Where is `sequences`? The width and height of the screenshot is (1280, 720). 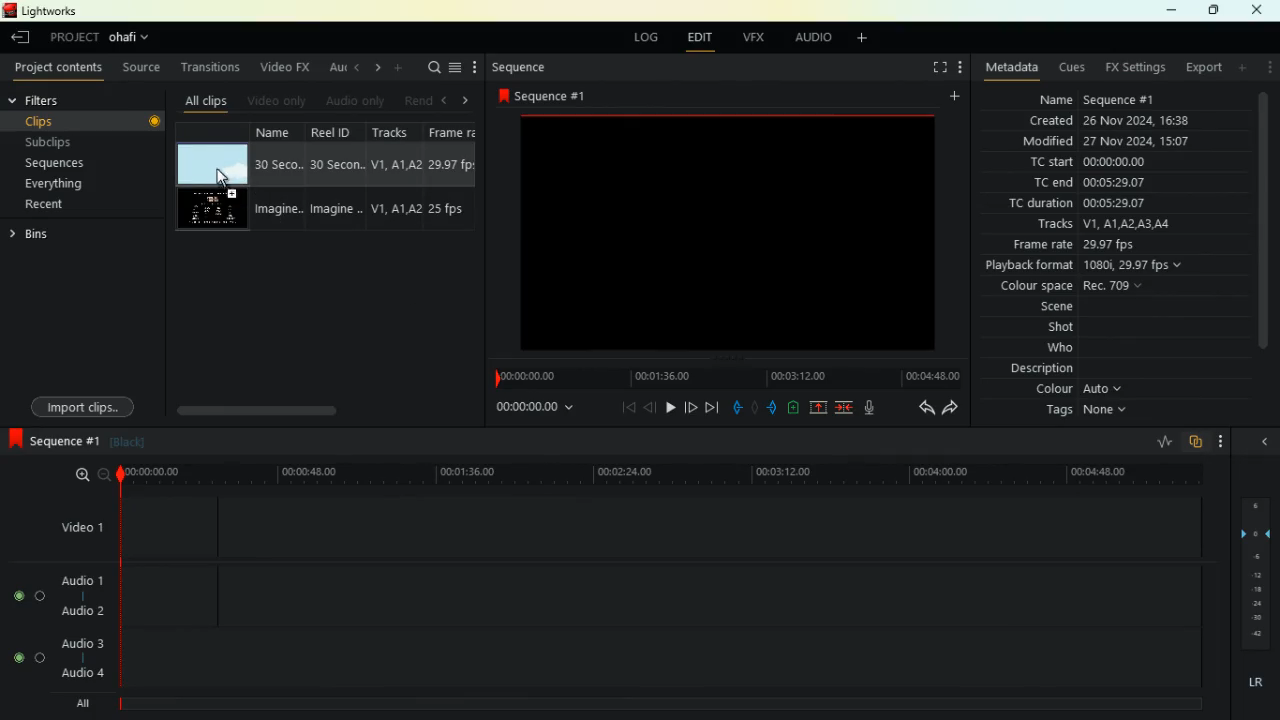 sequences is located at coordinates (70, 161).